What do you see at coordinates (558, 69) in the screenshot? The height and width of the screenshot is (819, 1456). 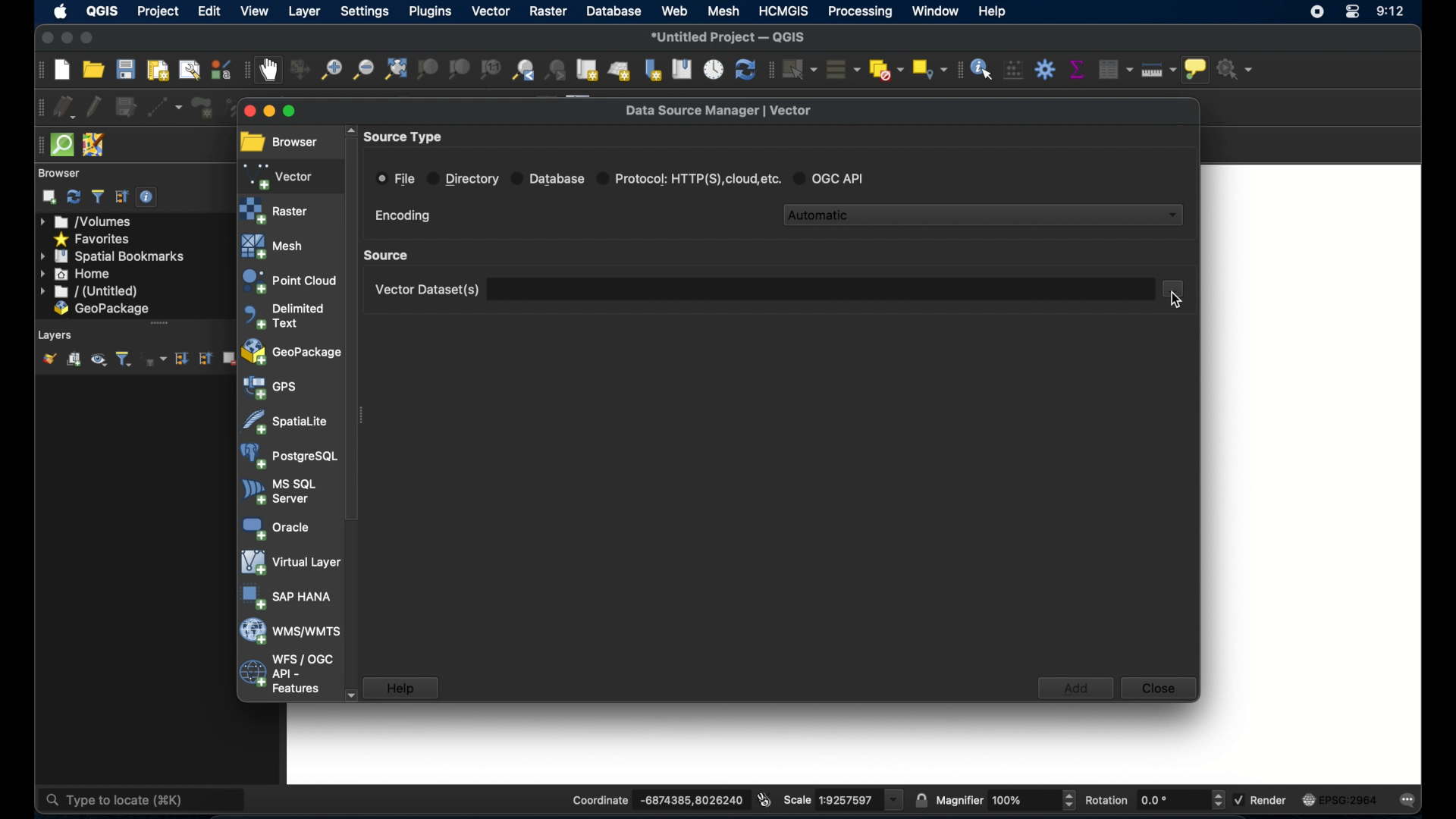 I see `zoom next` at bounding box center [558, 69].